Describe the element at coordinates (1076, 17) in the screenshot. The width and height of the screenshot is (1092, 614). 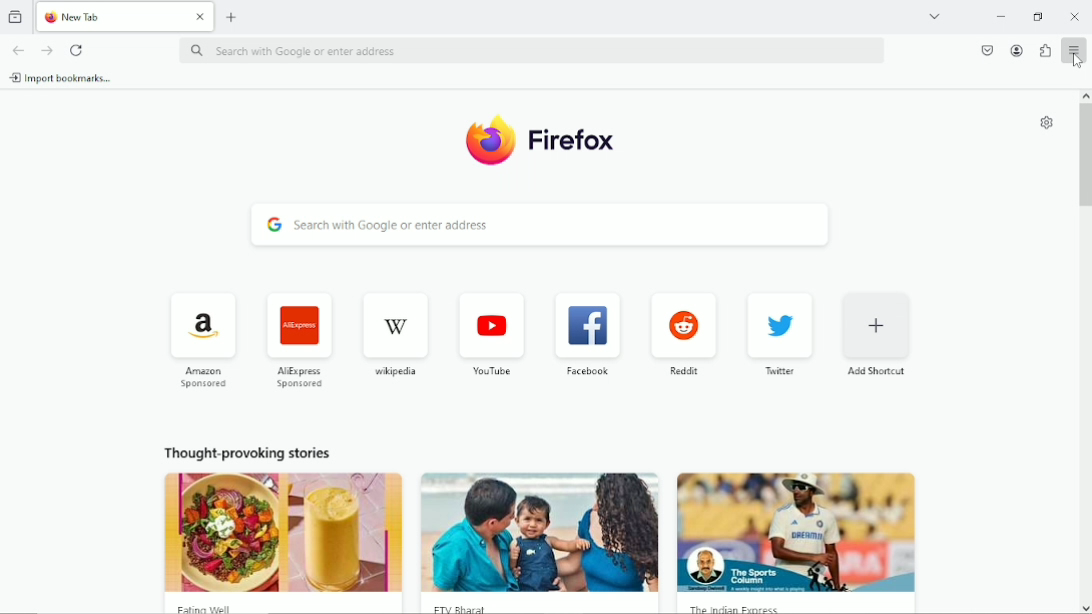
I see `Close` at that location.